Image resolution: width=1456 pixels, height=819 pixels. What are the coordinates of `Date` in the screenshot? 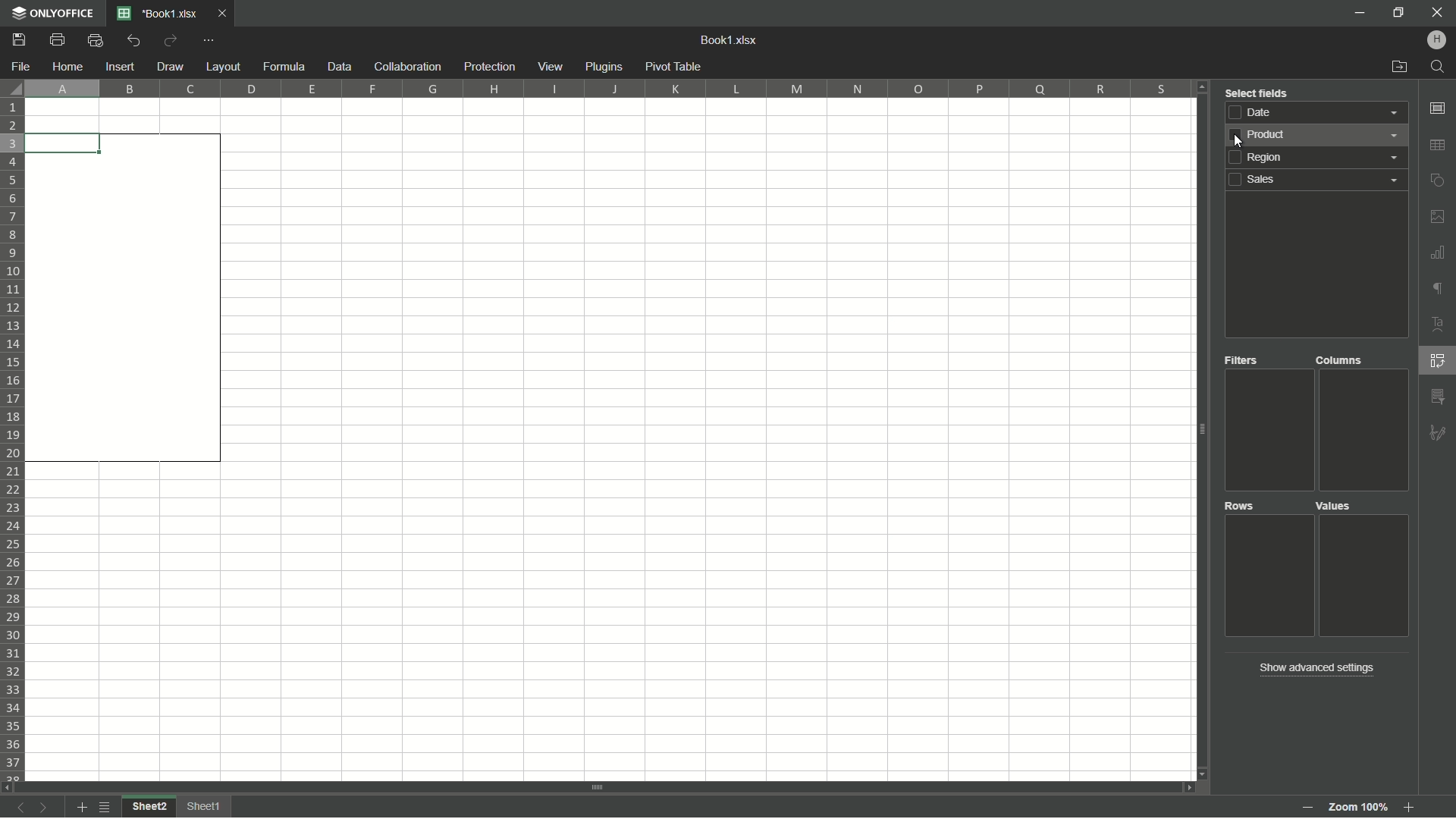 It's located at (1320, 112).